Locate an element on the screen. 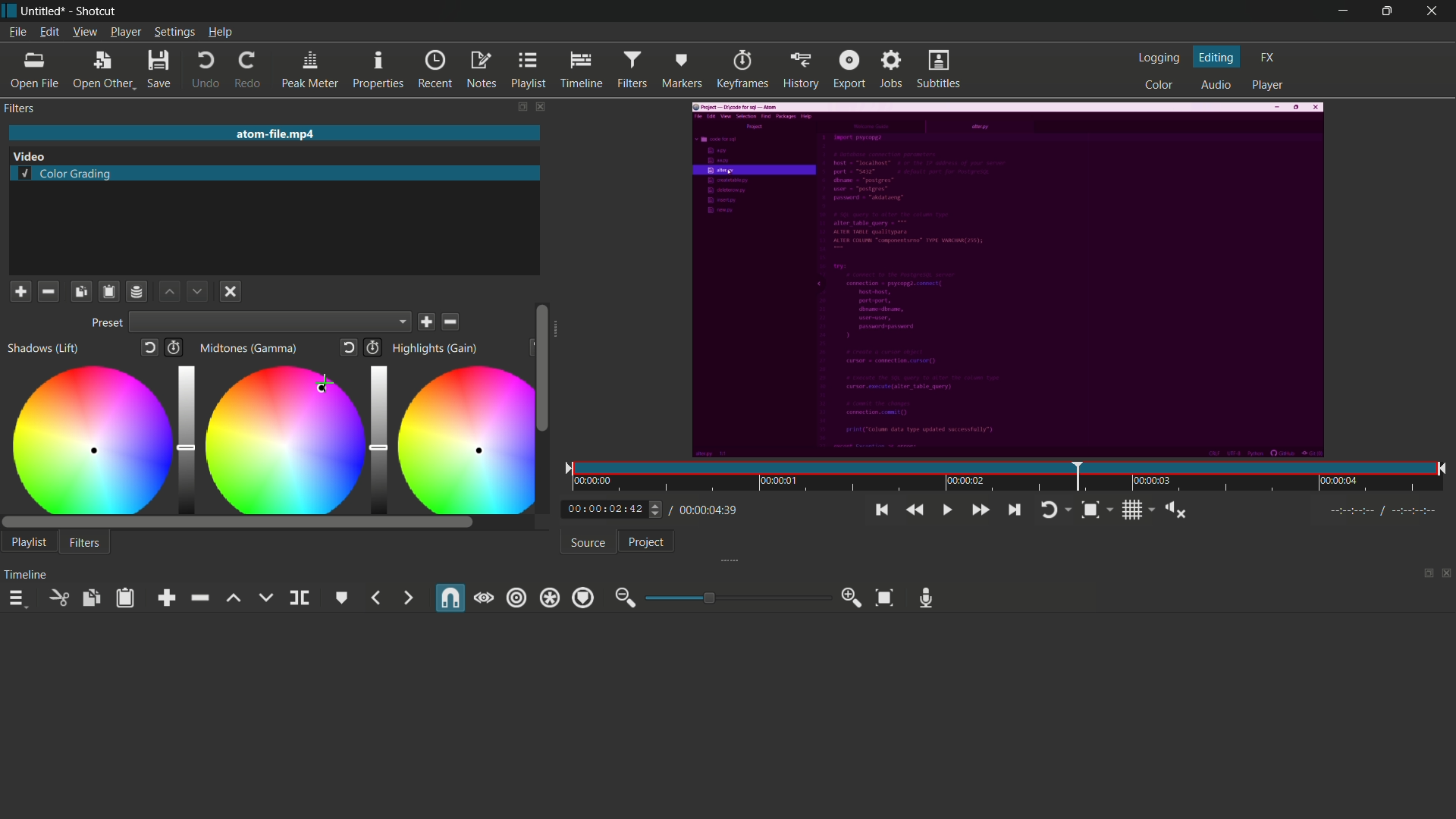  lift is located at coordinates (233, 598).